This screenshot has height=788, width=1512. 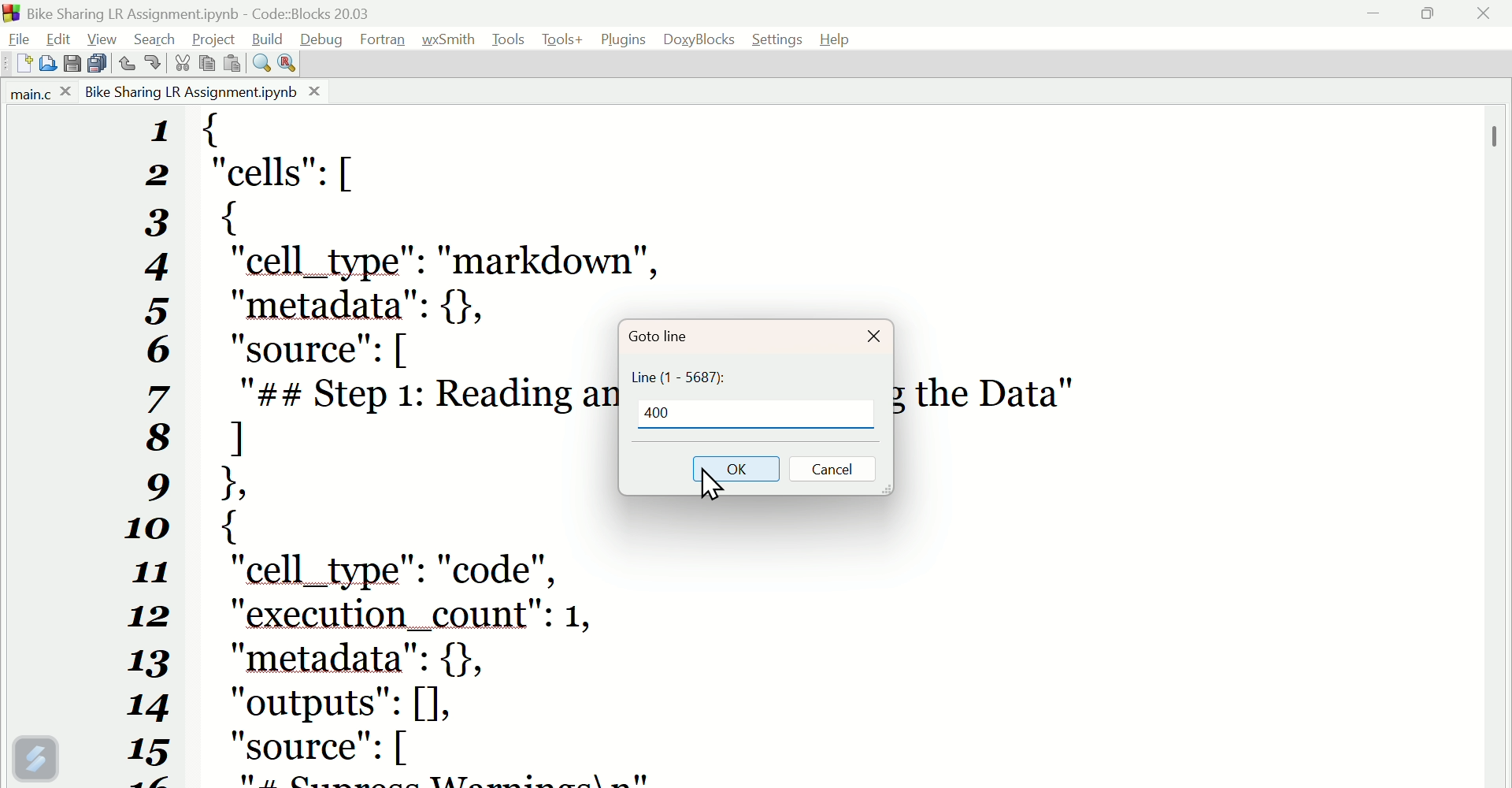 I want to click on Bike sharing LR assignment.Ipynb, so click(x=202, y=91).